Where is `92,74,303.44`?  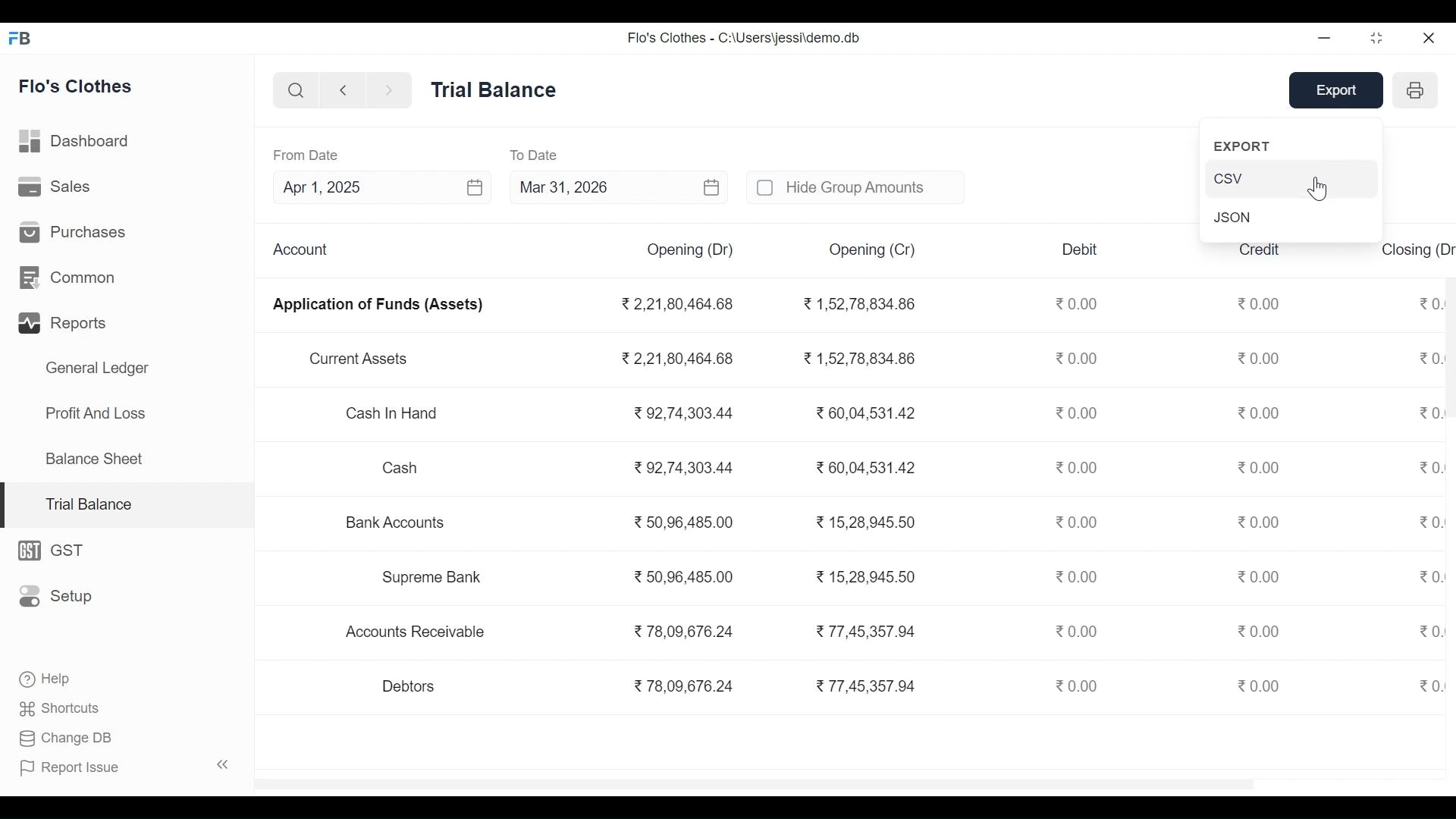
92,74,303.44 is located at coordinates (682, 413).